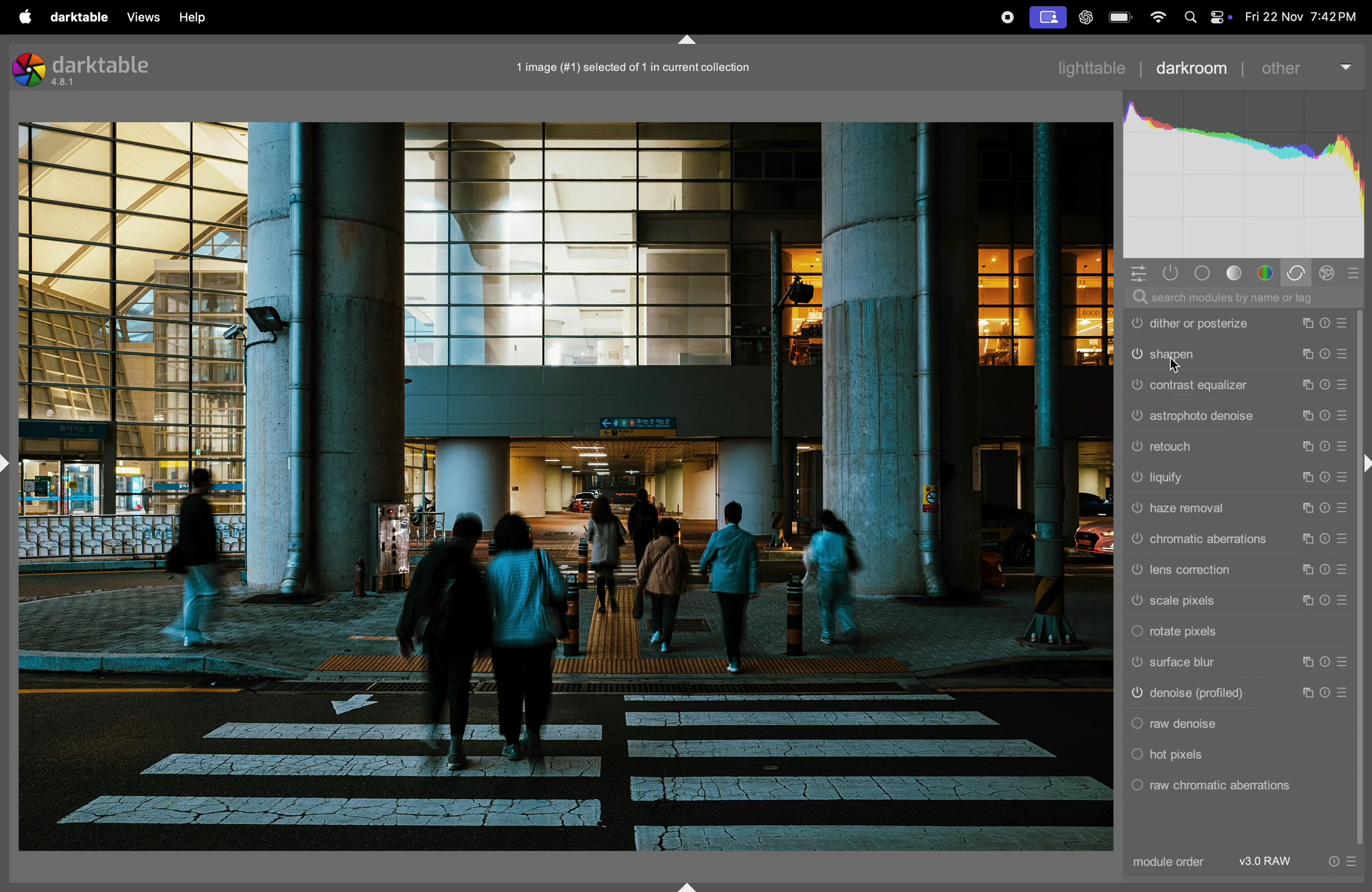 This screenshot has height=892, width=1372. Describe the element at coordinates (1238, 385) in the screenshot. I see `contras equalizer` at that location.